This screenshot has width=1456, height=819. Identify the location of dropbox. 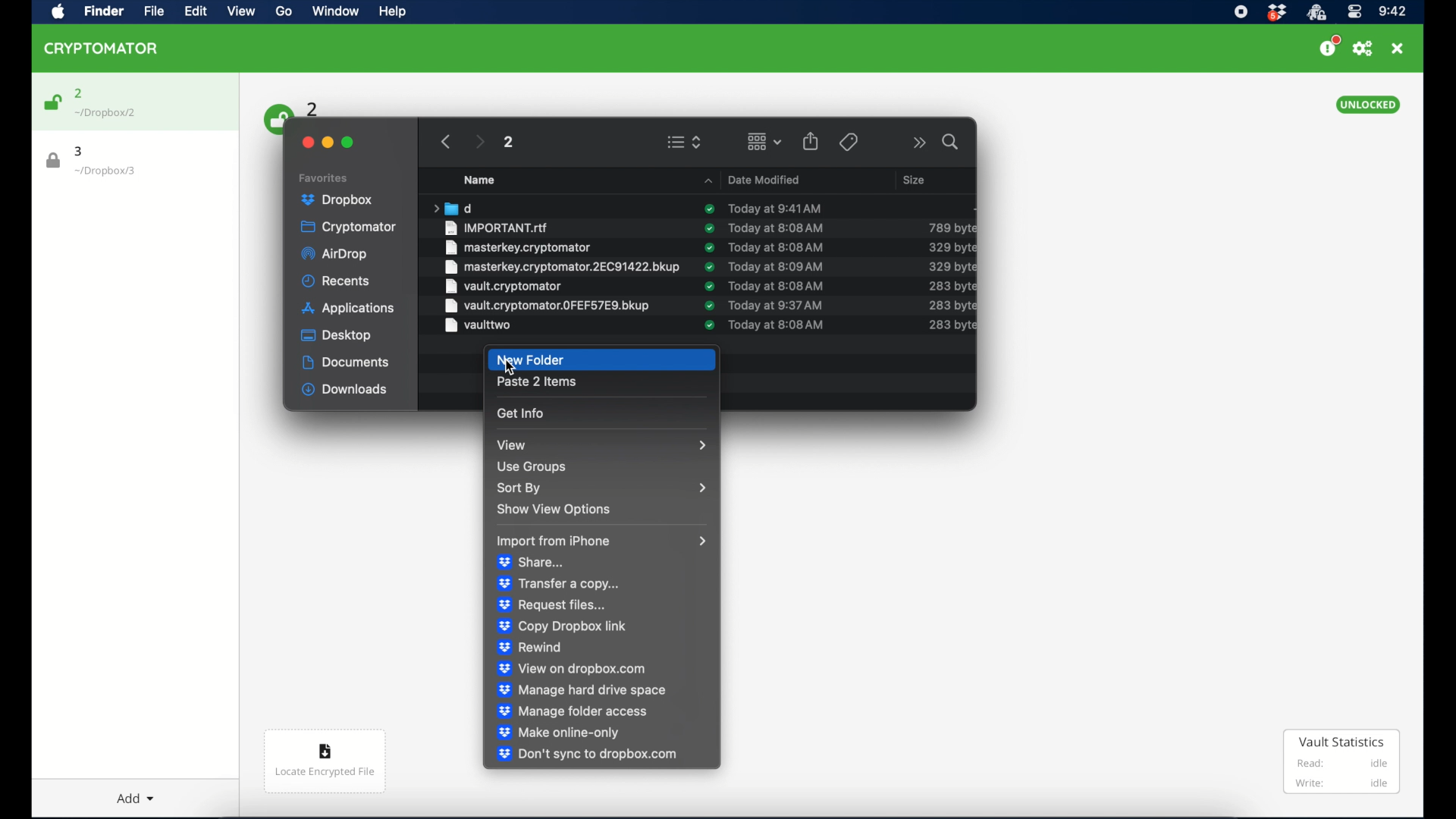
(337, 200).